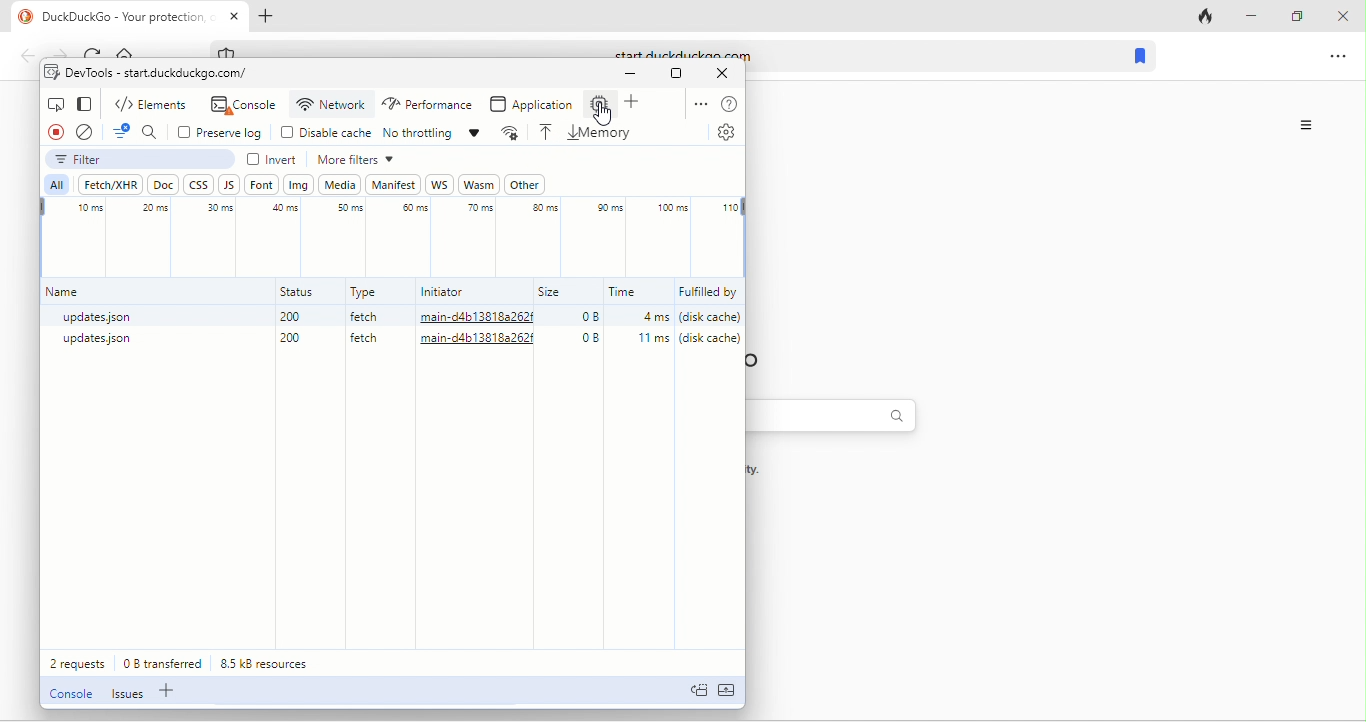  Describe the element at coordinates (393, 187) in the screenshot. I see `manifest` at that location.